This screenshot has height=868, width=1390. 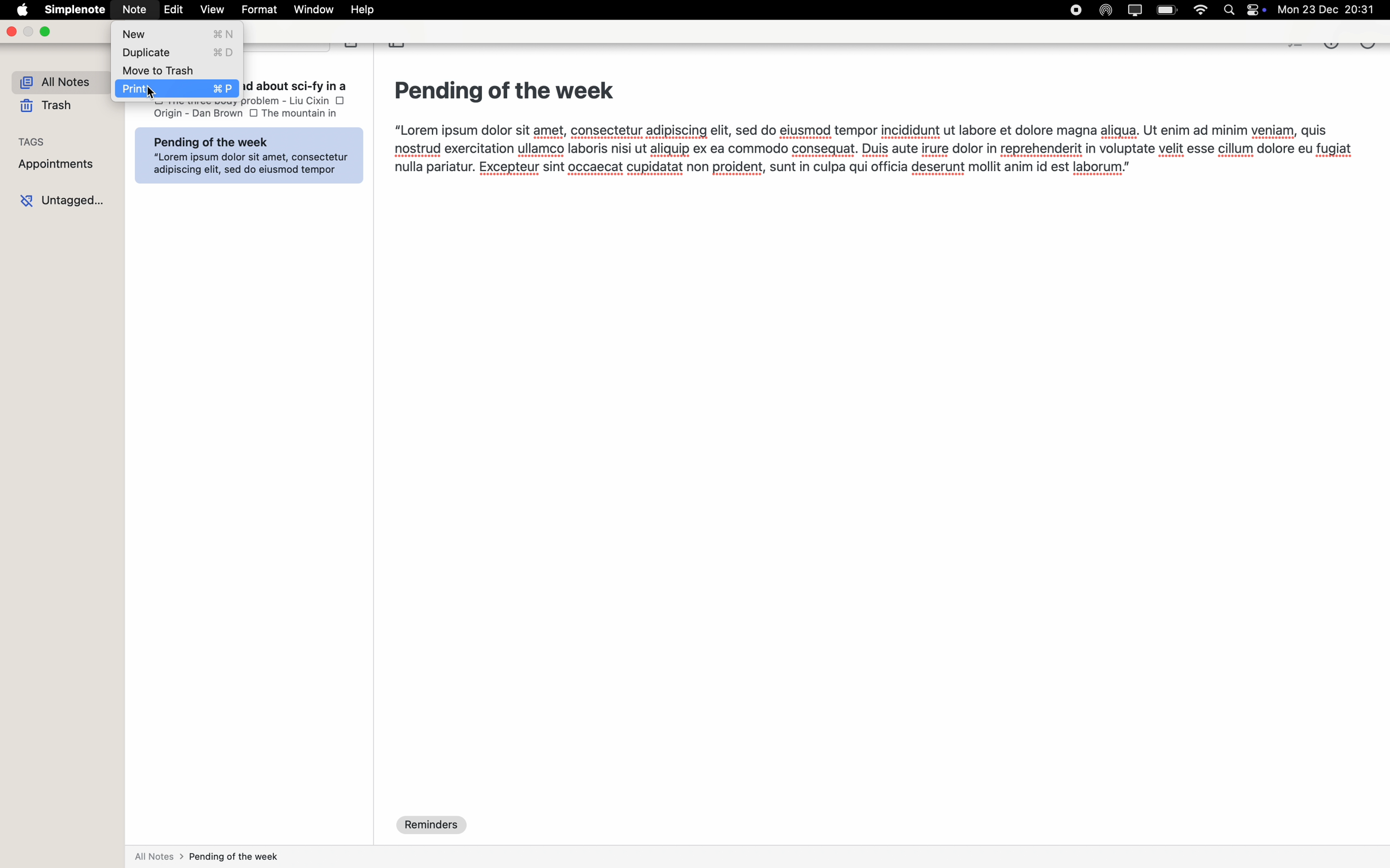 I want to click on duplicate, so click(x=176, y=51).